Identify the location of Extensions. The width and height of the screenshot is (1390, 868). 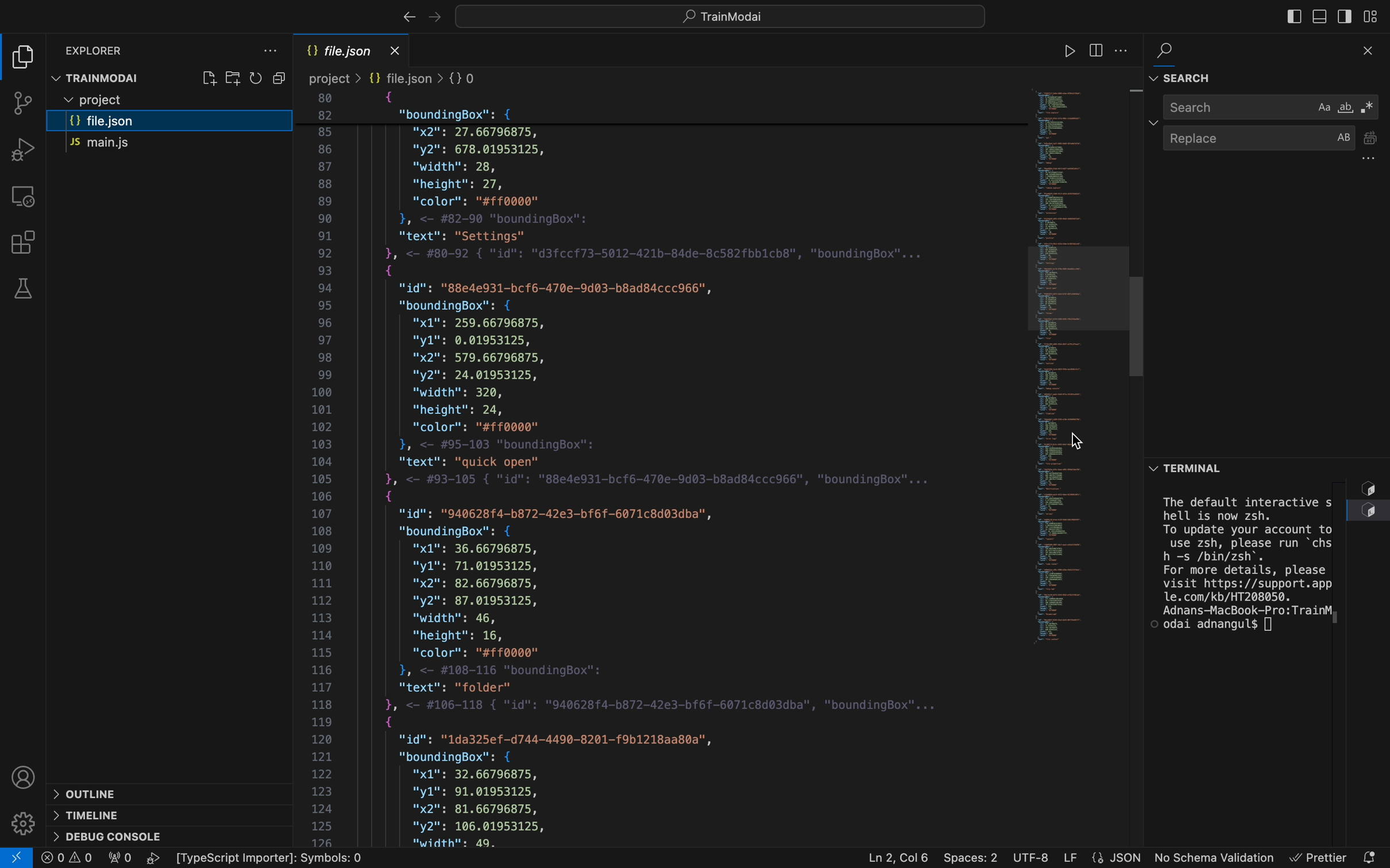
(25, 241).